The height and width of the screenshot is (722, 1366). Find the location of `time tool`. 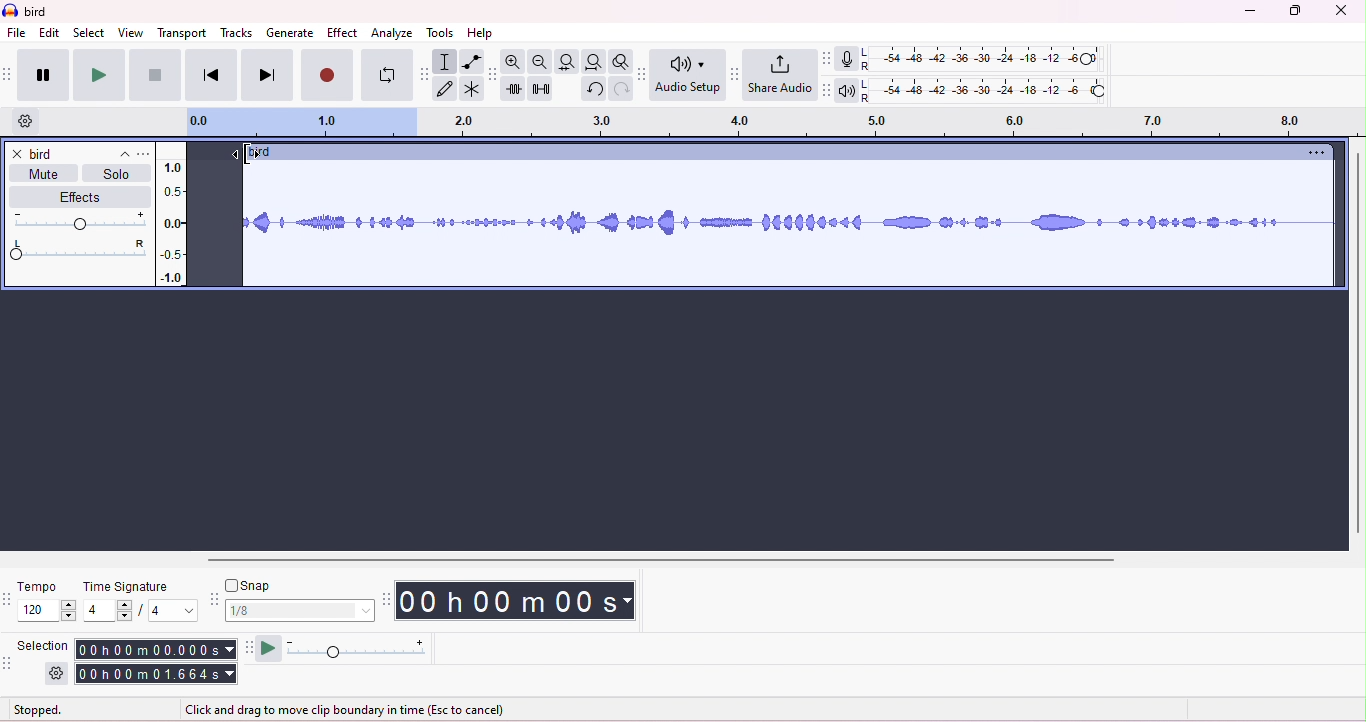

time tool is located at coordinates (388, 599).